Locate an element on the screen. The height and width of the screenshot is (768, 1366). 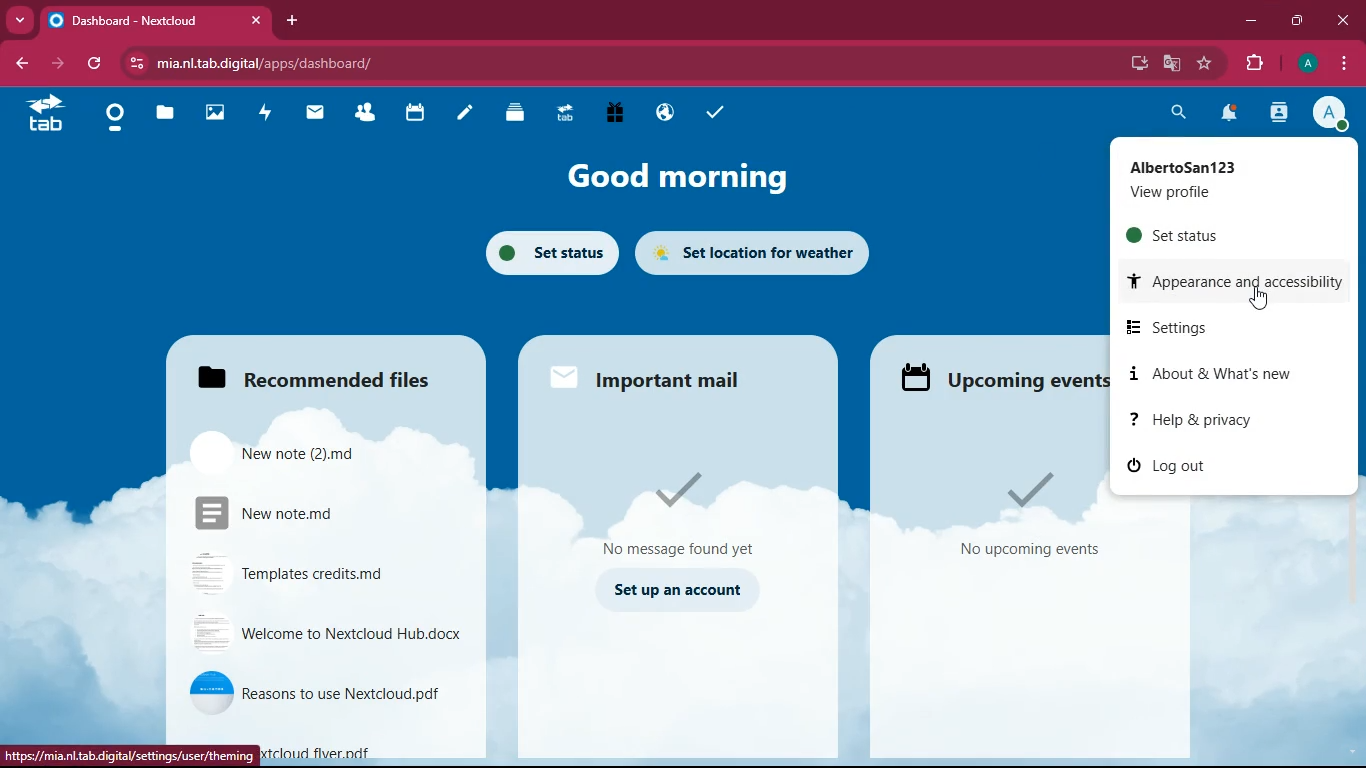
file is located at coordinates (327, 632).